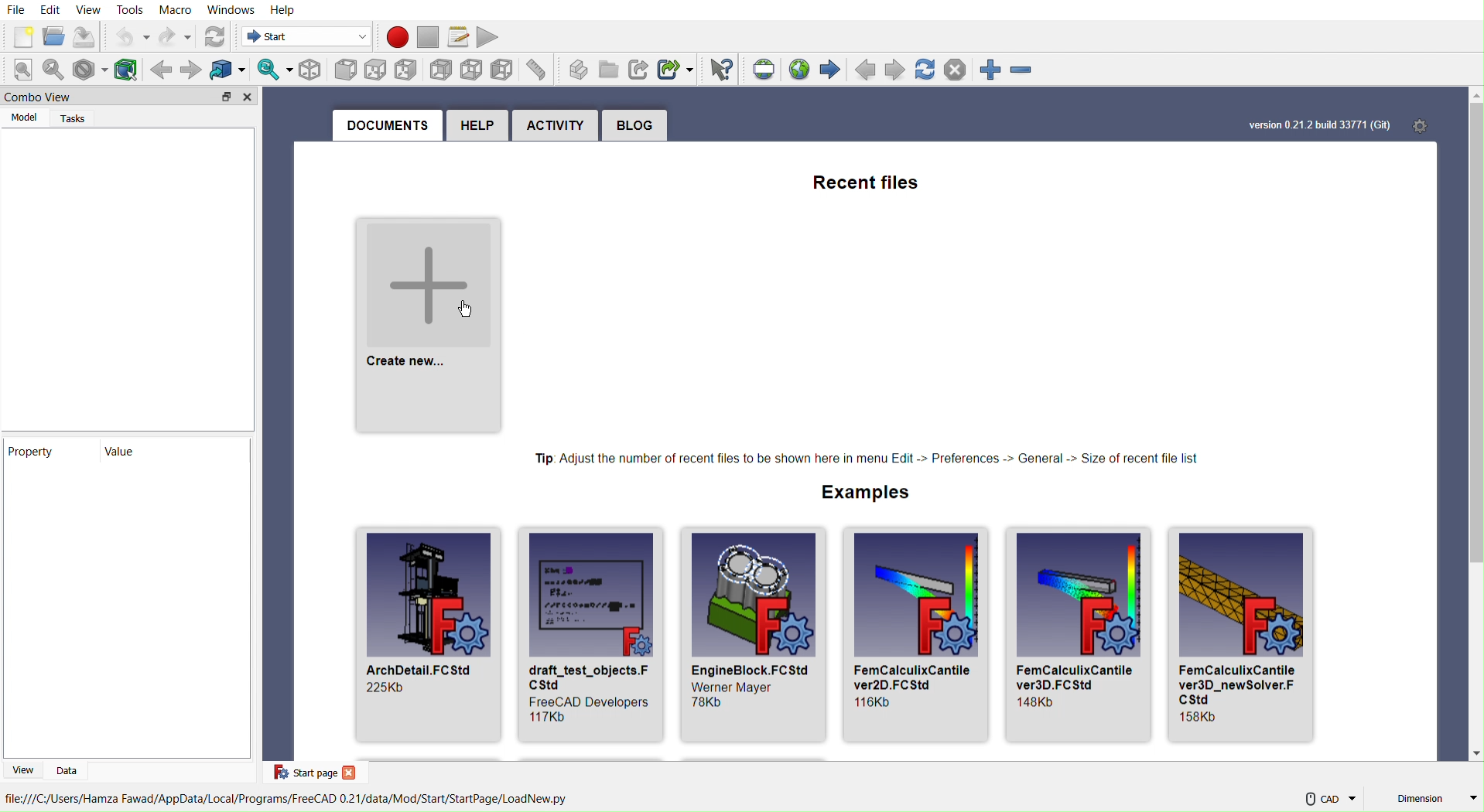 The width and height of the screenshot is (1484, 812). I want to click on FemCalculixCantile ver2D.FC std 116kb, so click(918, 636).